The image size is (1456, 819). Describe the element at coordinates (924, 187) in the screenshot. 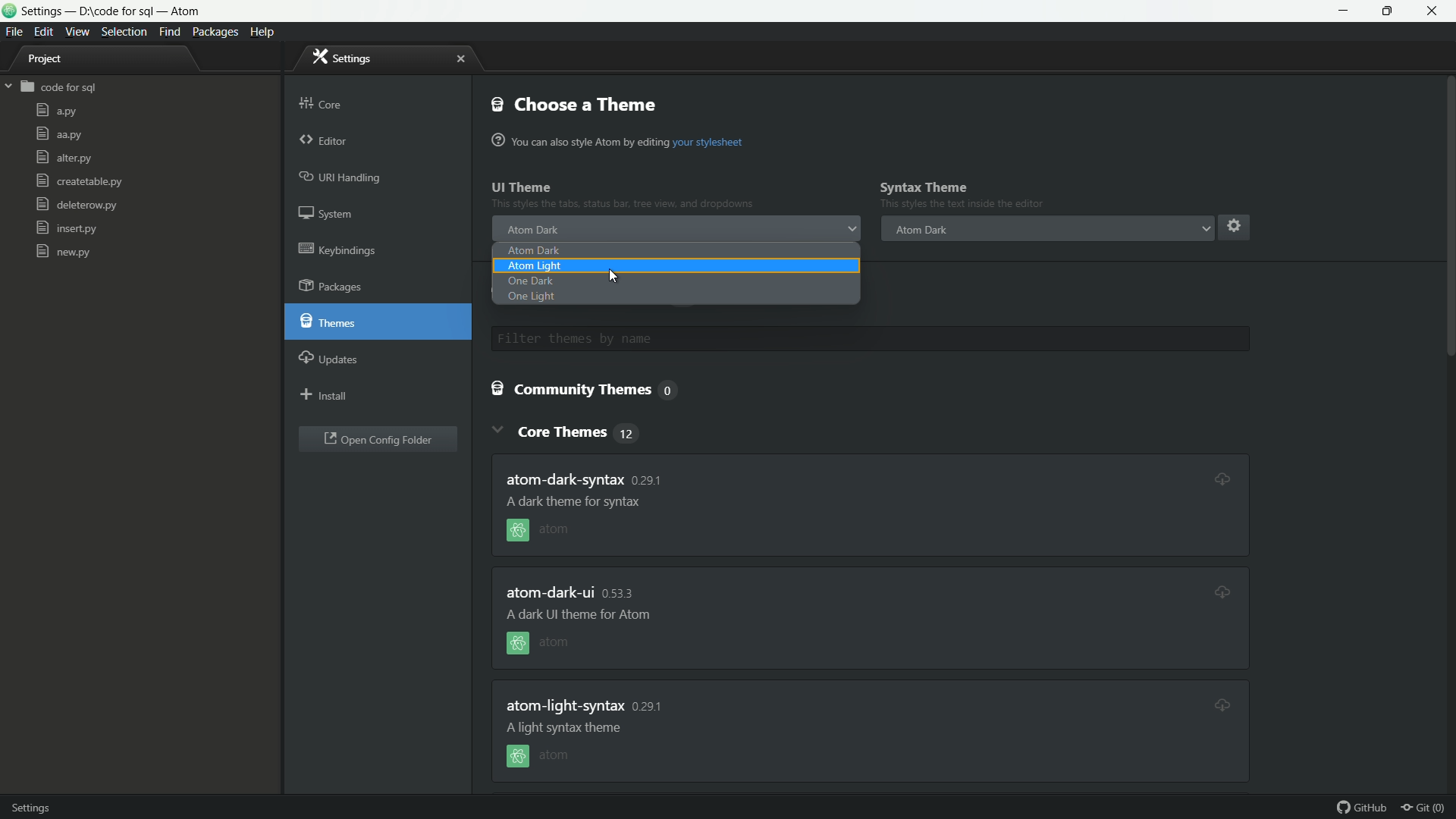

I see `syntax theme` at that location.